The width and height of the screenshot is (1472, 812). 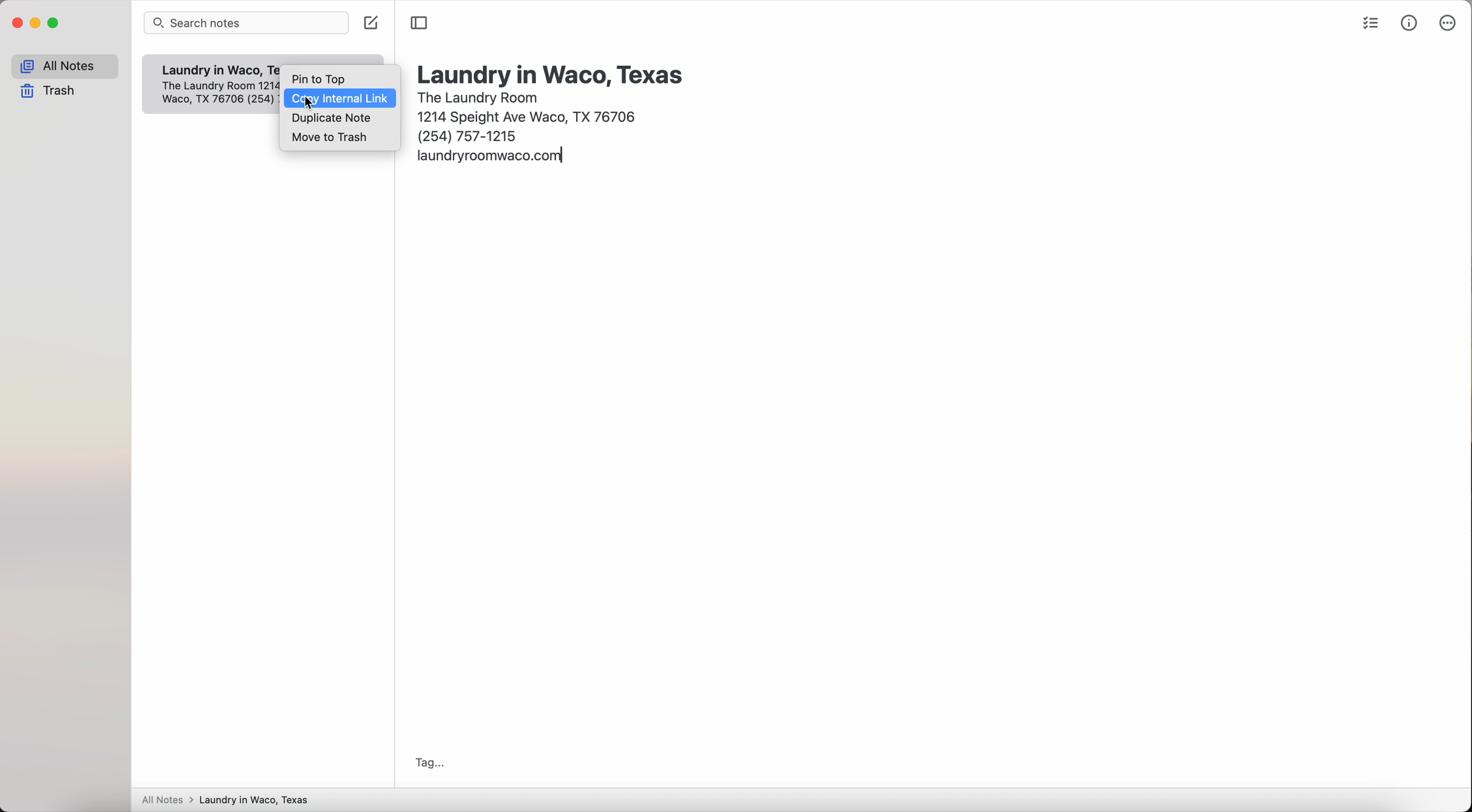 What do you see at coordinates (54, 23) in the screenshot?
I see `maximize app` at bounding box center [54, 23].